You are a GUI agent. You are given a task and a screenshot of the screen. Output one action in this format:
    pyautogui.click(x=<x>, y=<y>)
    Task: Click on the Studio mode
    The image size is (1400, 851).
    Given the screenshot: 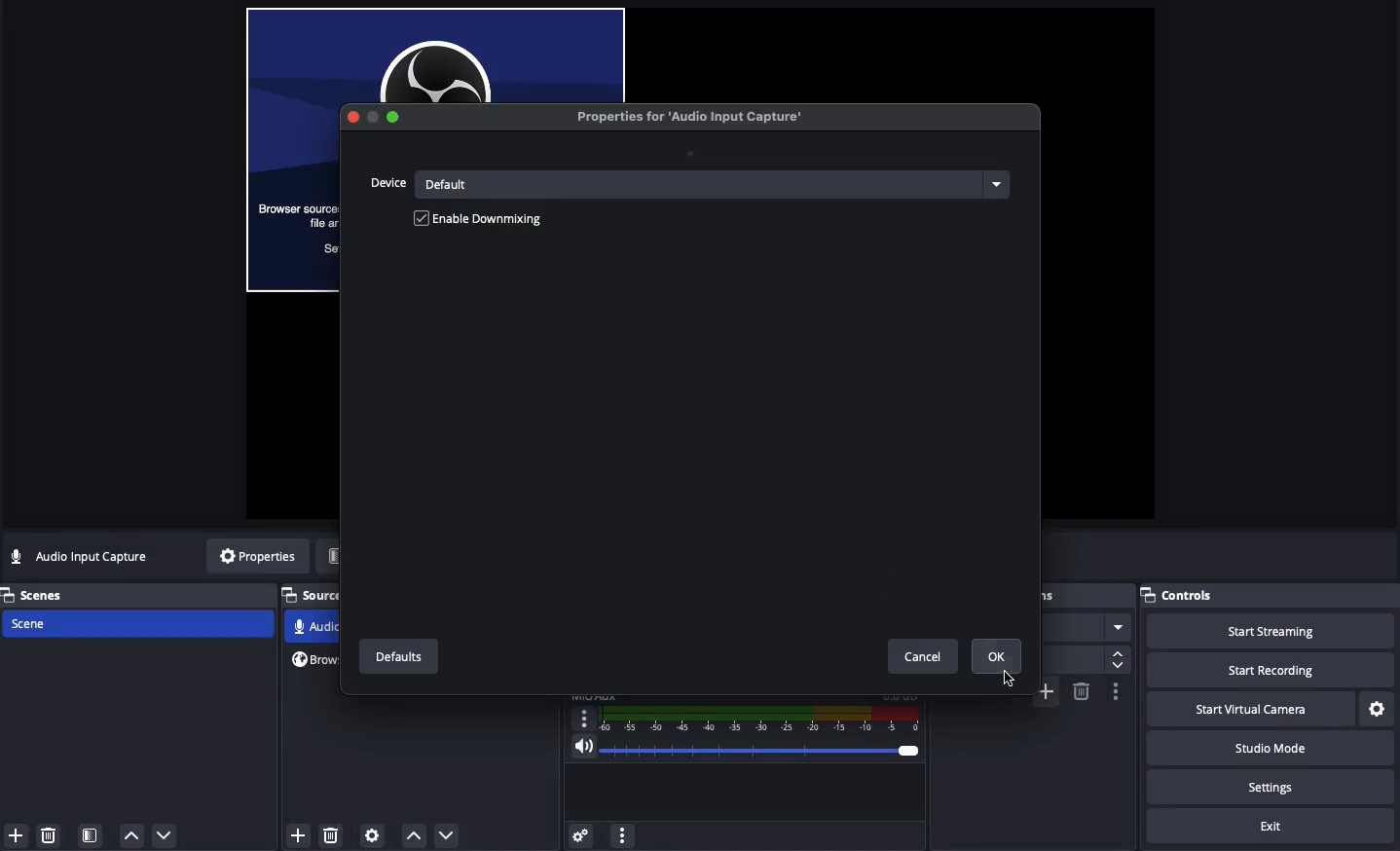 What is the action you would take?
    pyautogui.click(x=1271, y=751)
    